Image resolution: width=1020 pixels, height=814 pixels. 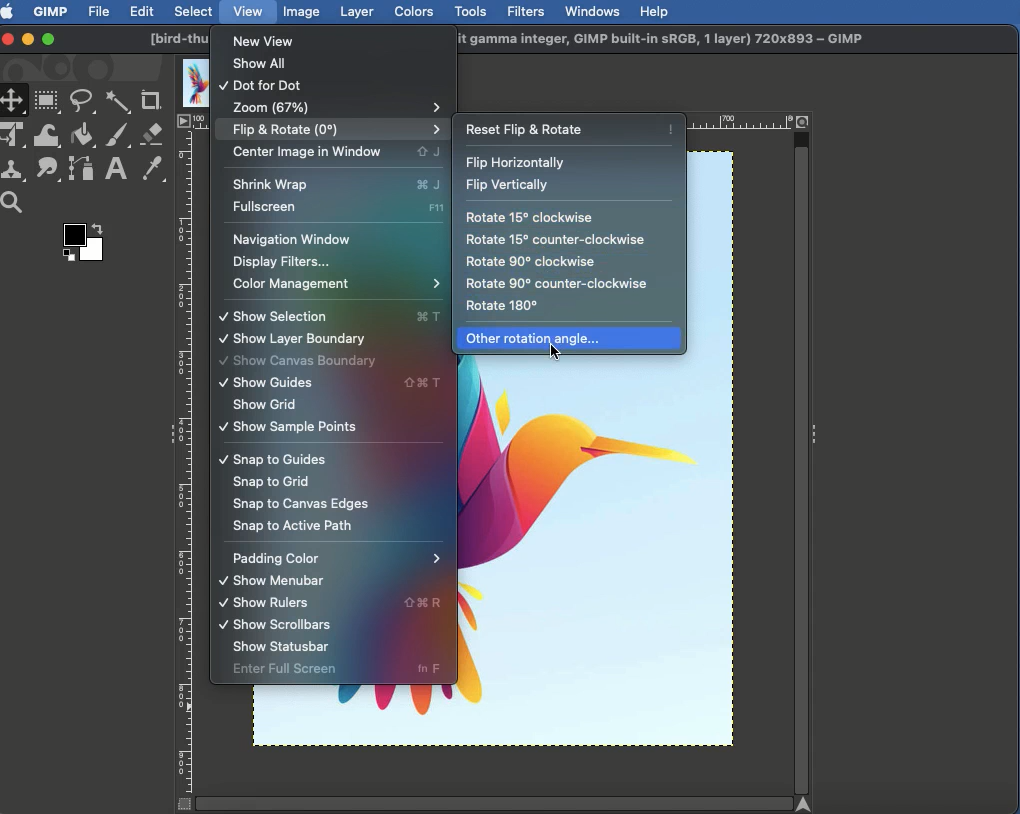 I want to click on Snap to guides, so click(x=272, y=460).